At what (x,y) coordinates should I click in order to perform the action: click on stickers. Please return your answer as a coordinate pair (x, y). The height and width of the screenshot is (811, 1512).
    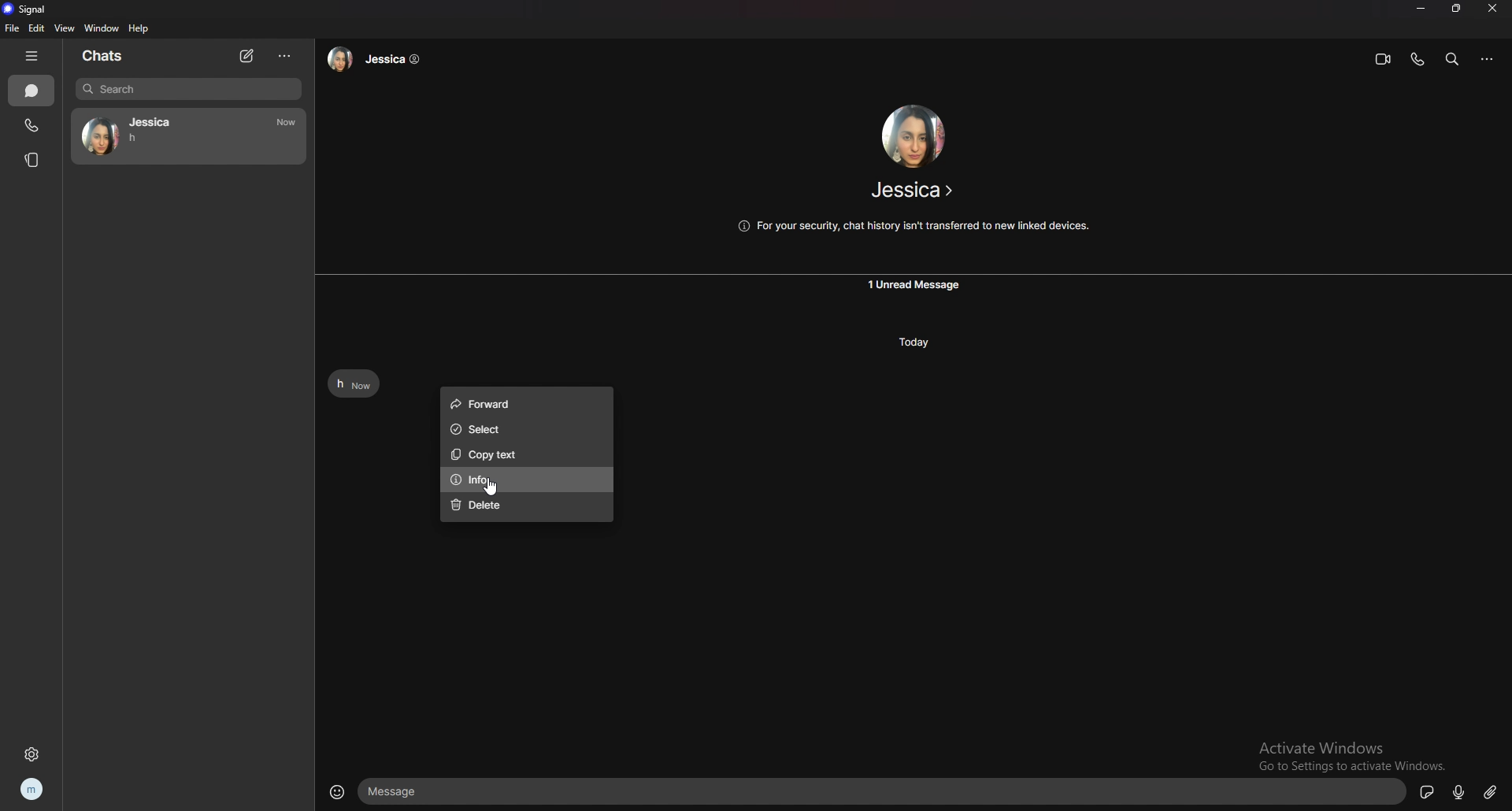
    Looking at the image, I should click on (1425, 794).